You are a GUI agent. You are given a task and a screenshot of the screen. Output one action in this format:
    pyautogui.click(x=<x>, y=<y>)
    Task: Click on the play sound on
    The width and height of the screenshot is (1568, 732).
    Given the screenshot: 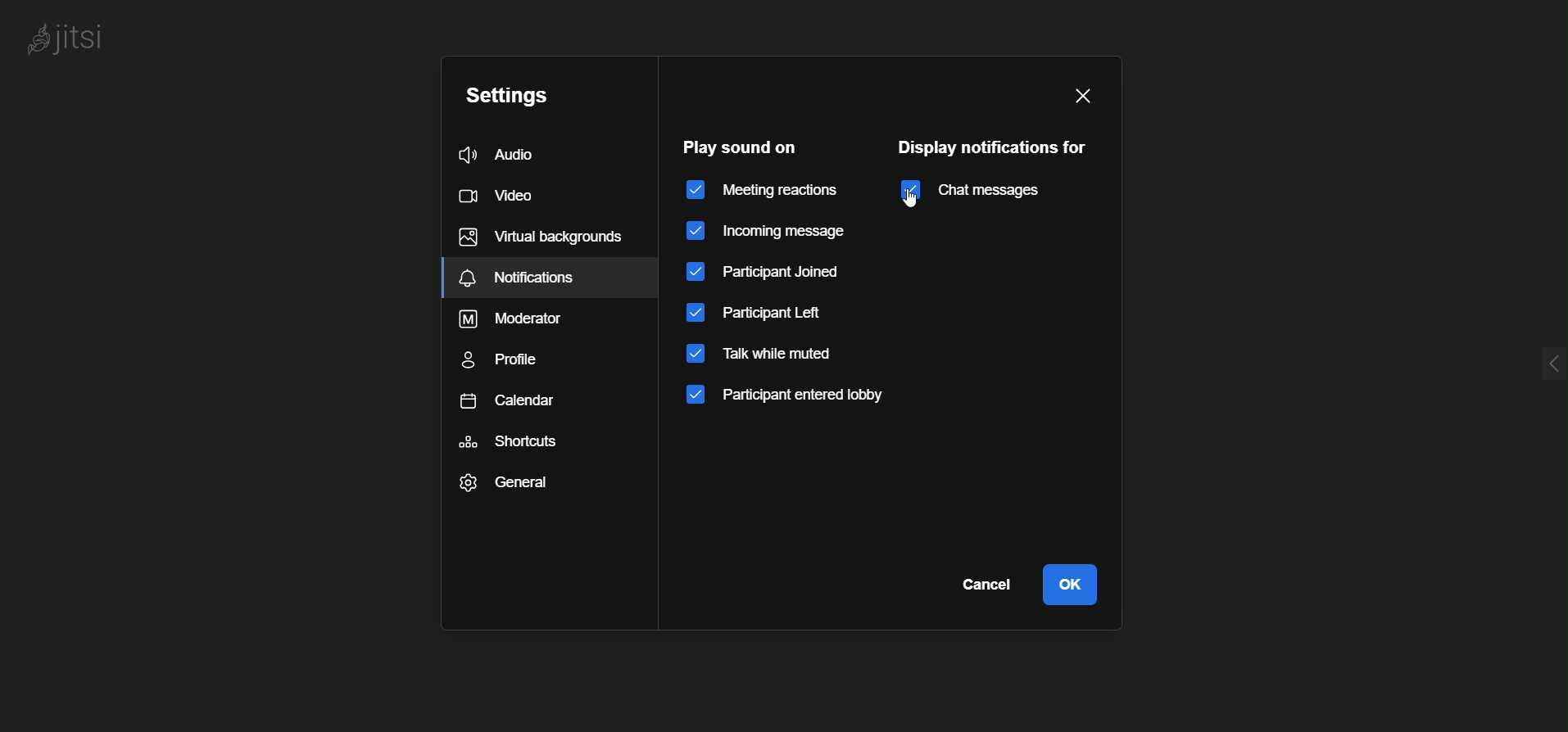 What is the action you would take?
    pyautogui.click(x=741, y=146)
    